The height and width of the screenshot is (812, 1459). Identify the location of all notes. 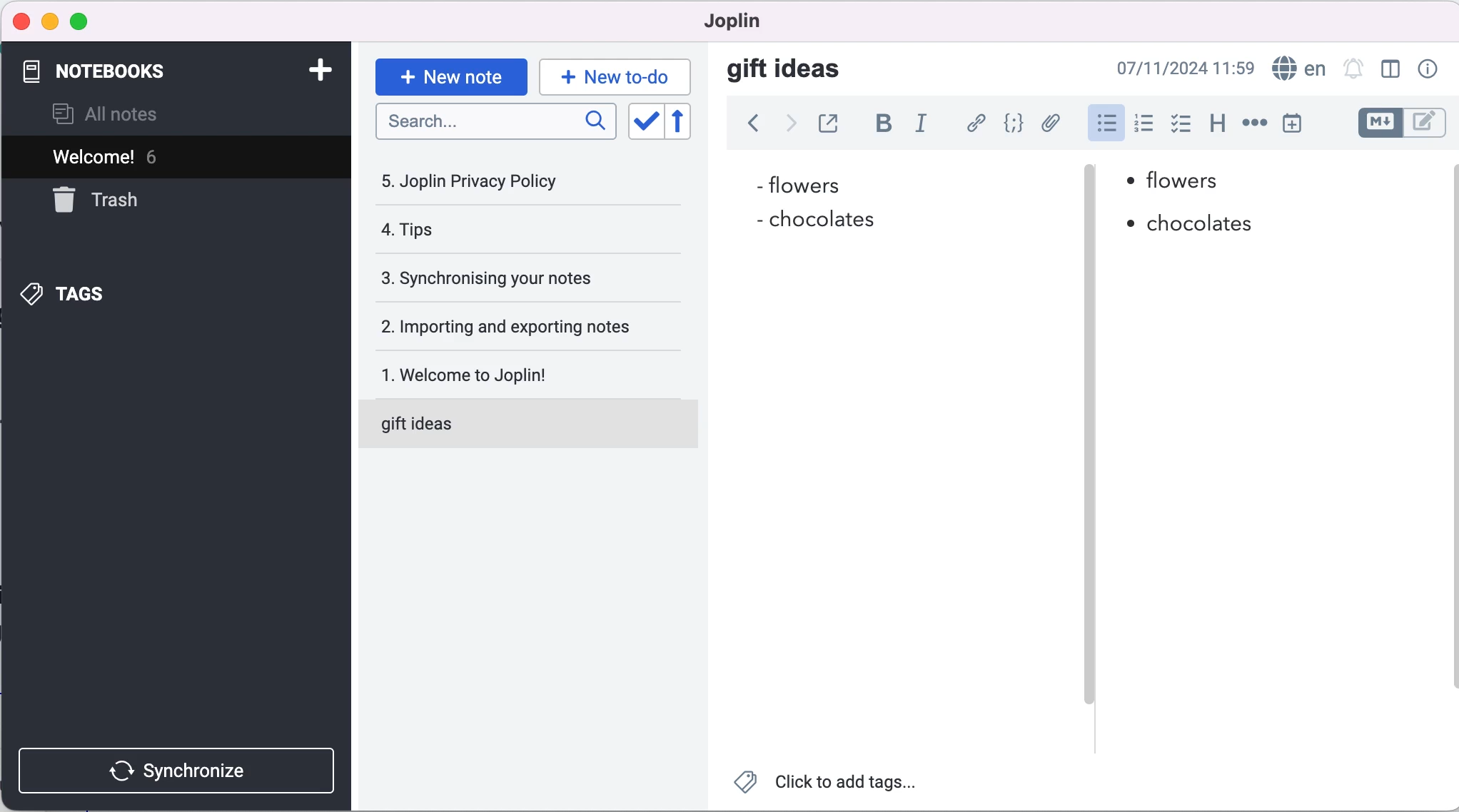
(124, 113).